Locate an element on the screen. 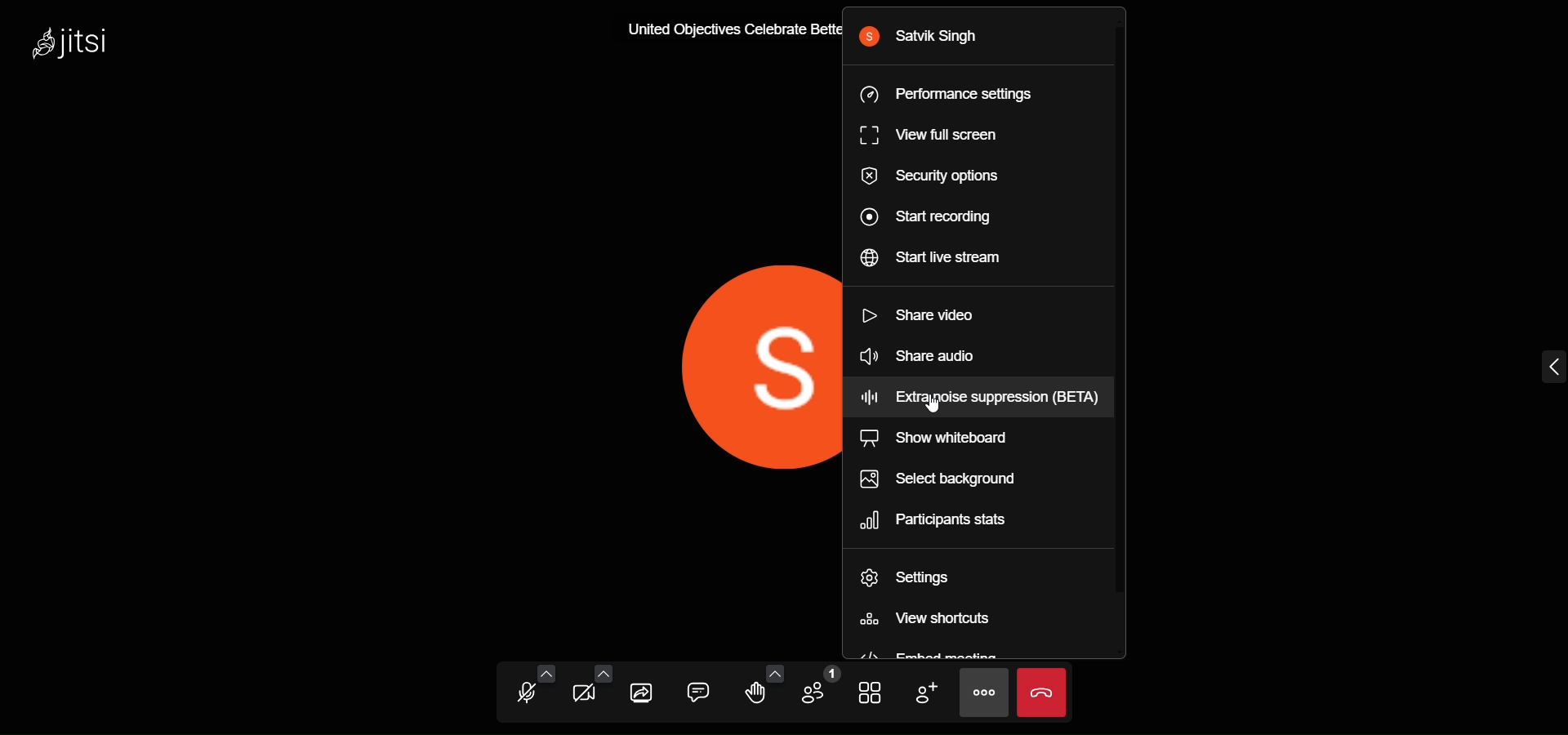  participants stats is located at coordinates (947, 519).